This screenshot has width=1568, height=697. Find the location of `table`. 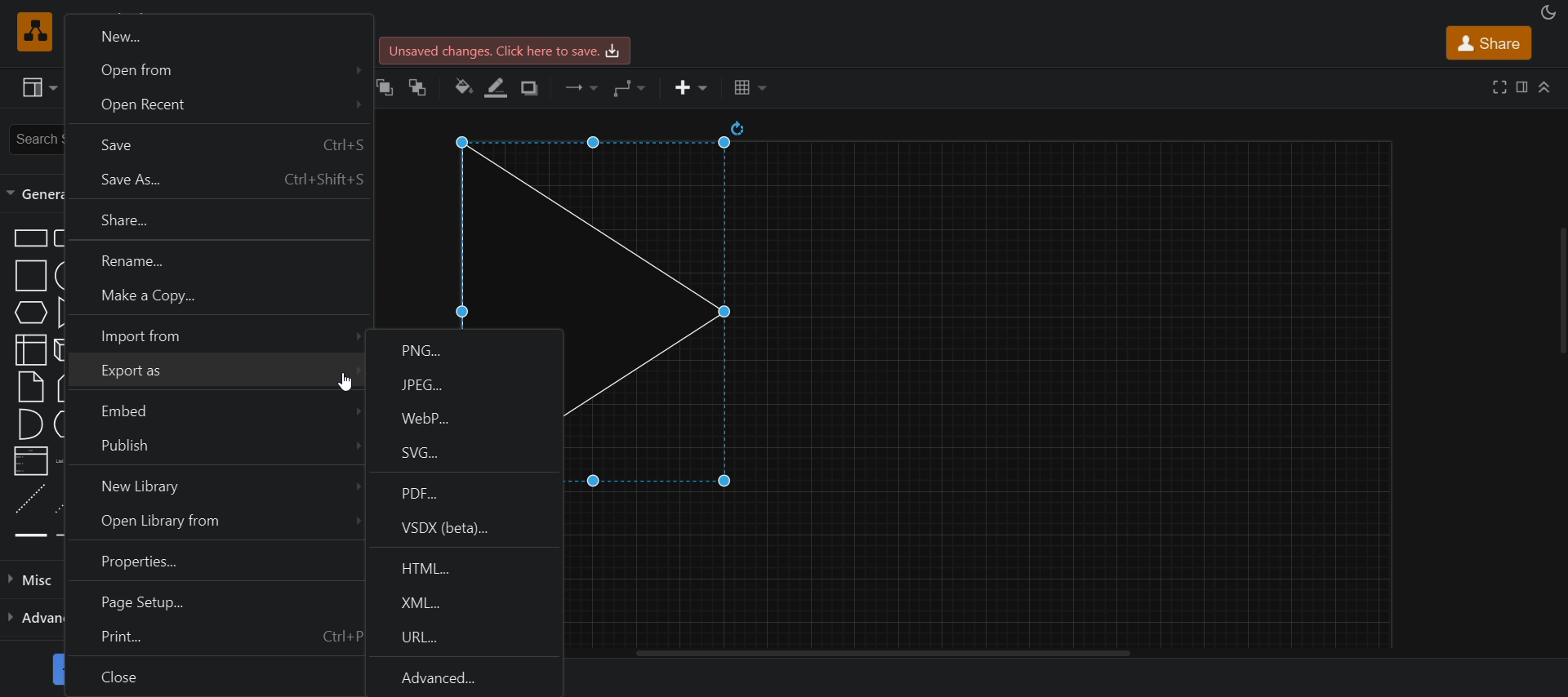

table is located at coordinates (751, 87).